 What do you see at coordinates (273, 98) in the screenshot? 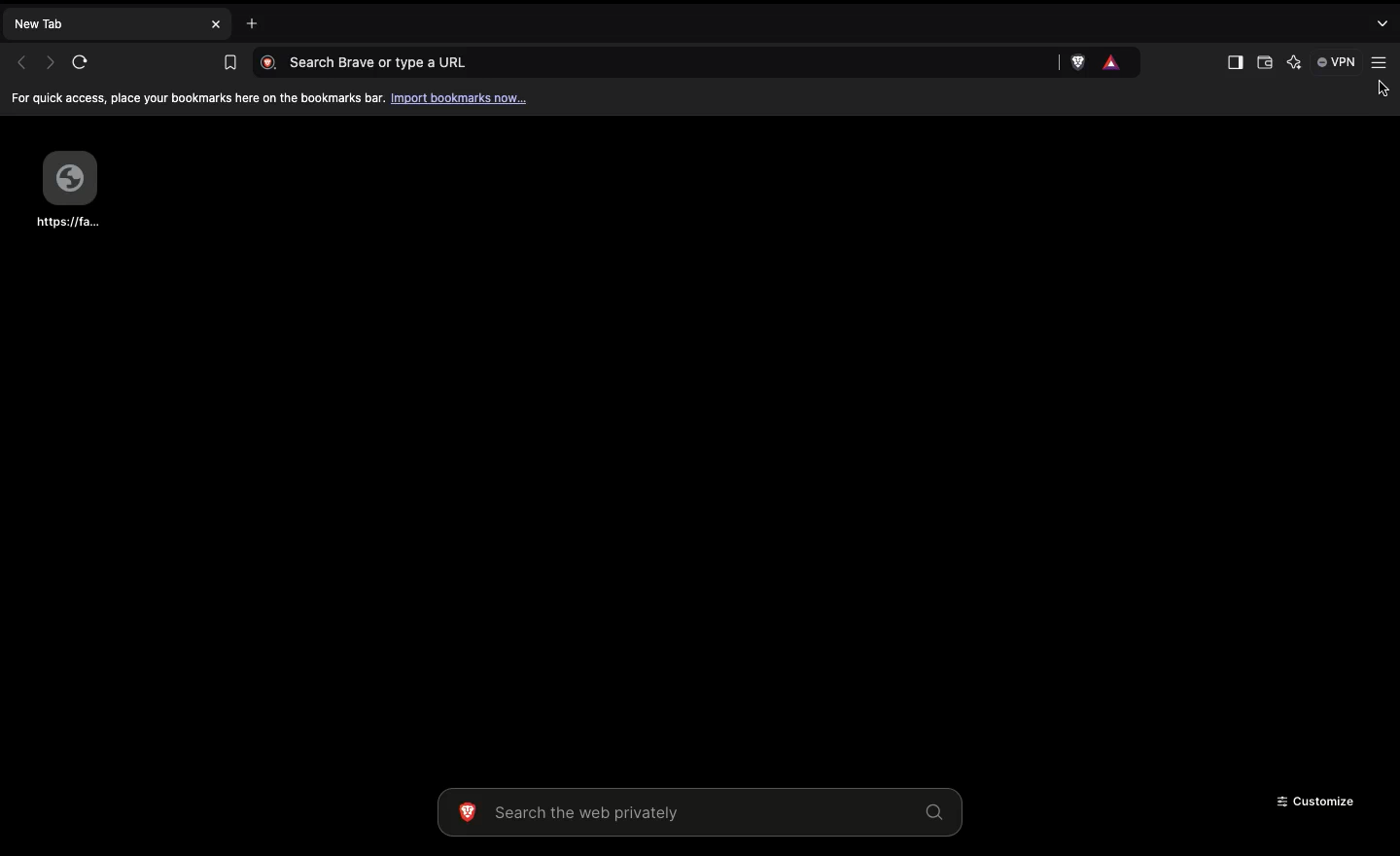
I see `For quick access, place your bookmarks here on the bookmarks bar. Import bookmarks now.` at bounding box center [273, 98].